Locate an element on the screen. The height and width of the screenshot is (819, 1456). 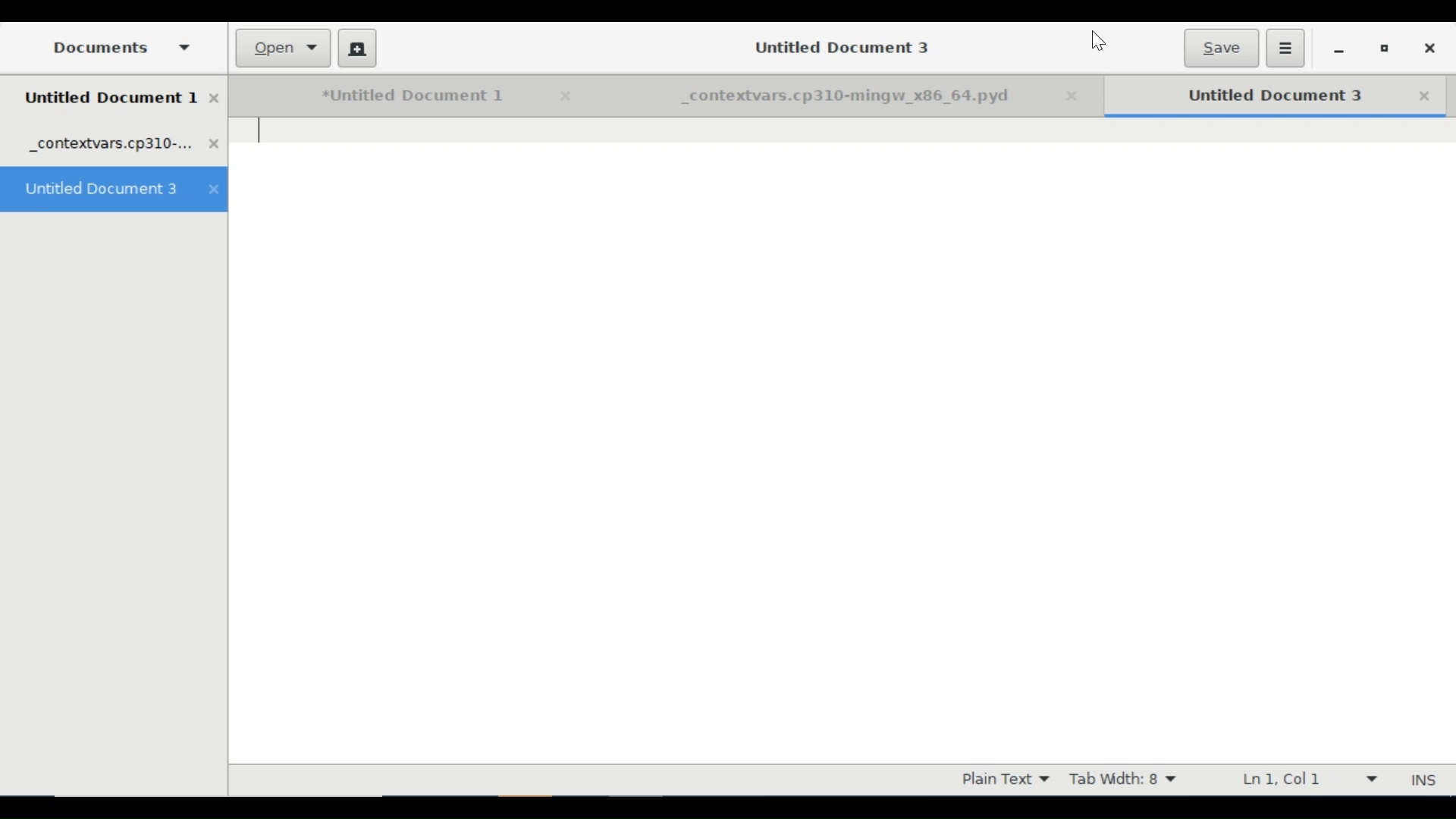
Save is located at coordinates (1220, 48).